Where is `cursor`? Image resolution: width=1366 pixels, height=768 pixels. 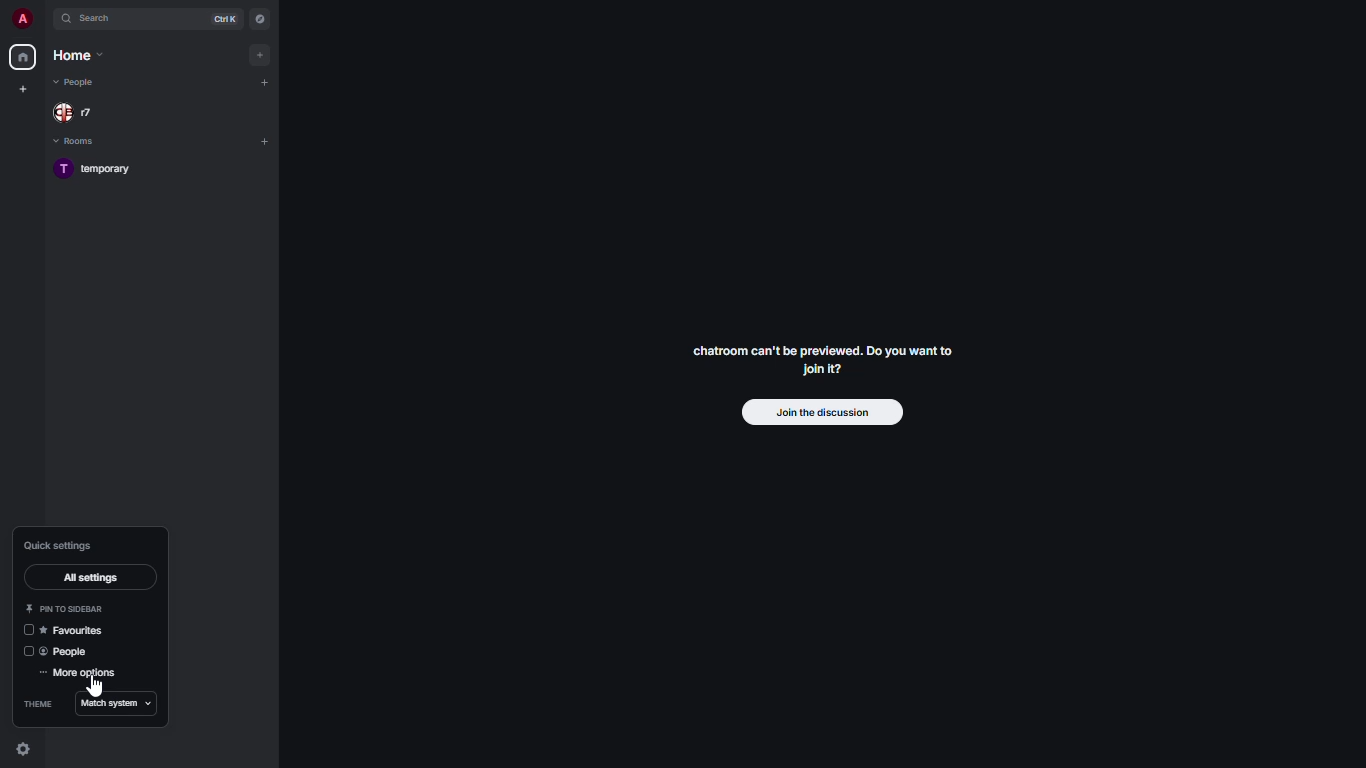 cursor is located at coordinates (97, 691).